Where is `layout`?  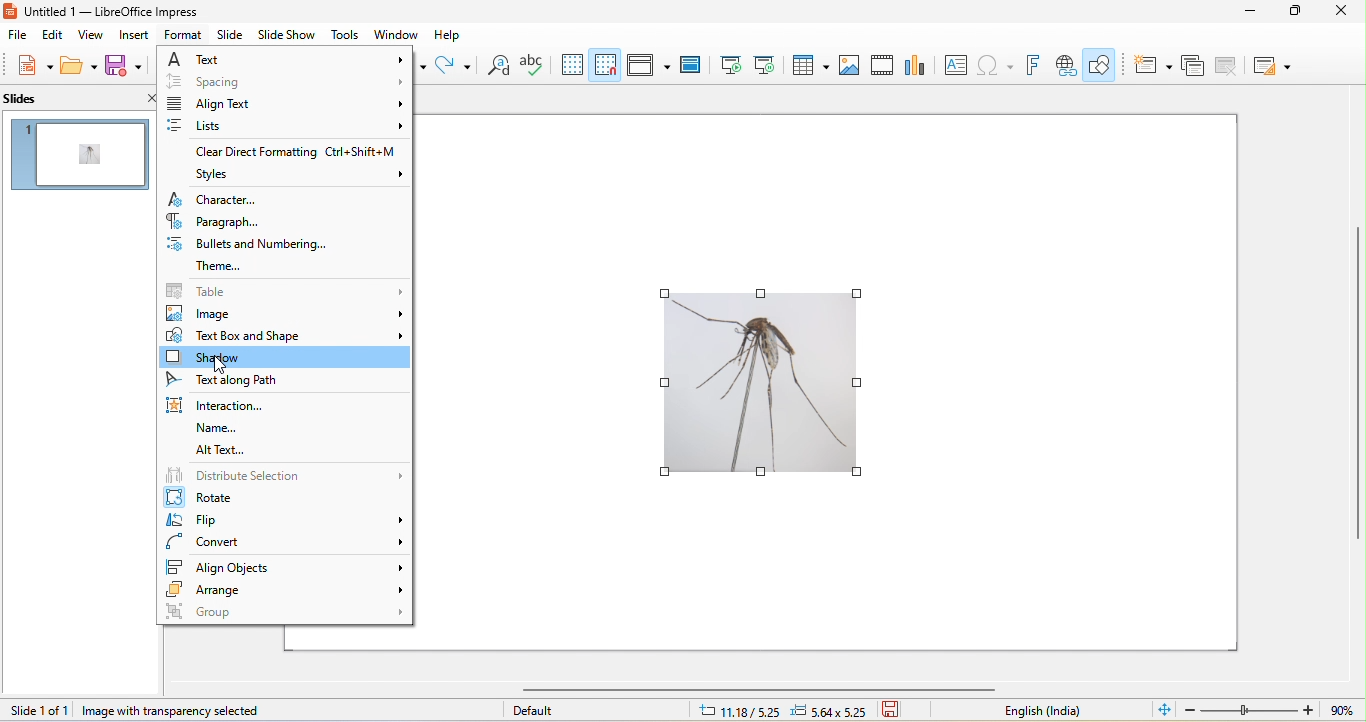 layout is located at coordinates (1270, 67).